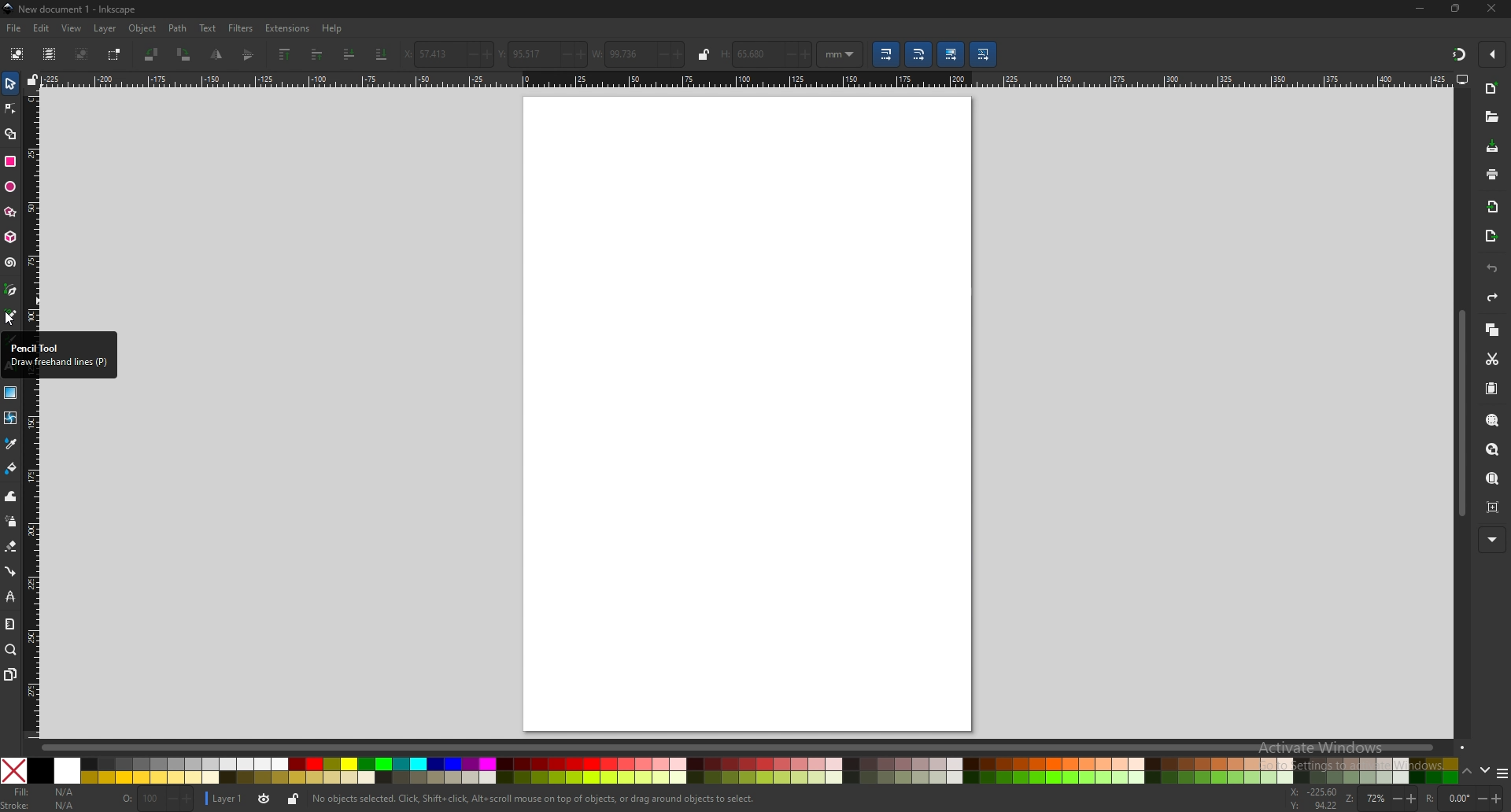  I want to click on path, so click(179, 28).